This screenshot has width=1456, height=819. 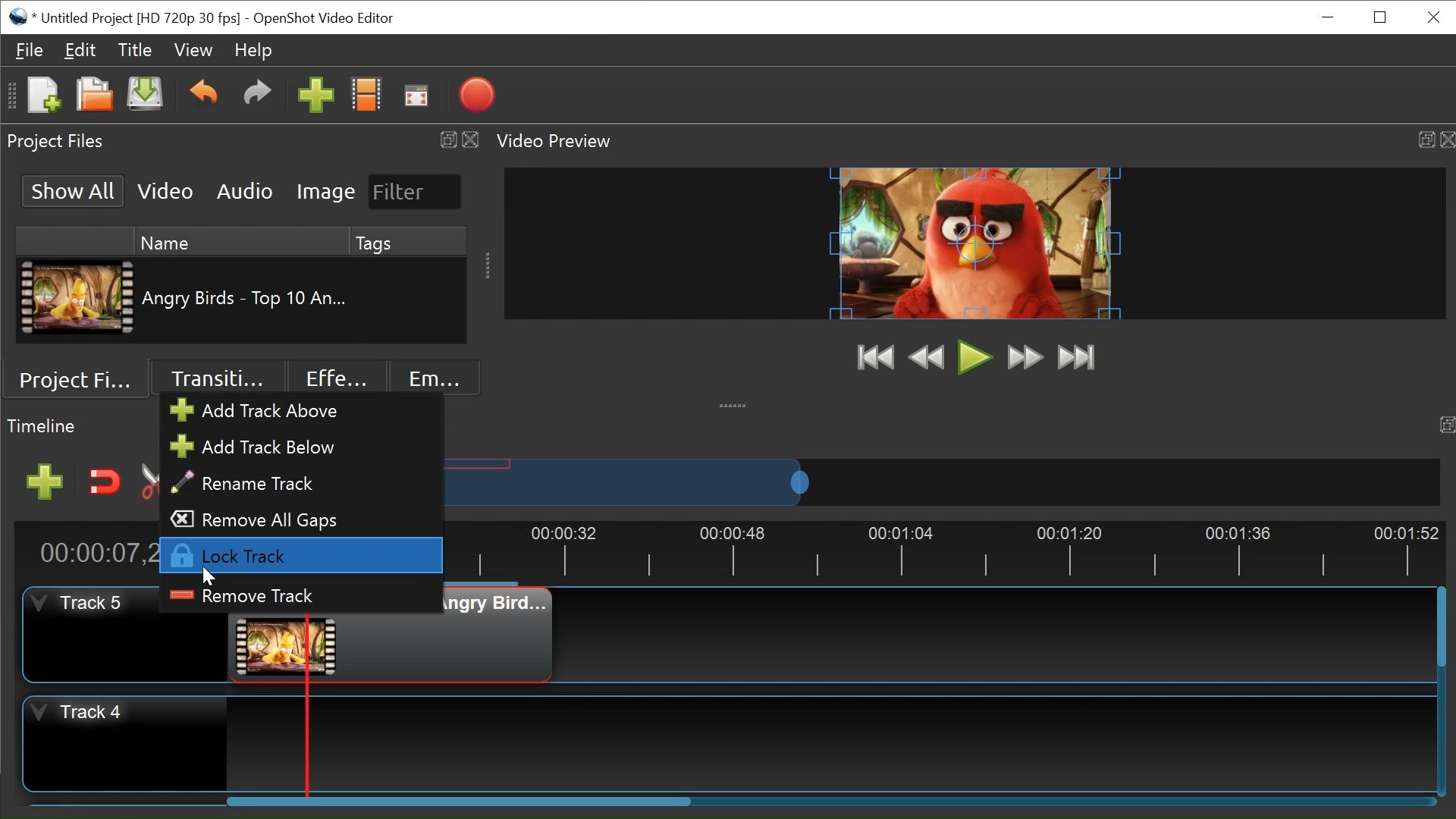 I want to click on File Name, so click(x=142, y=19).